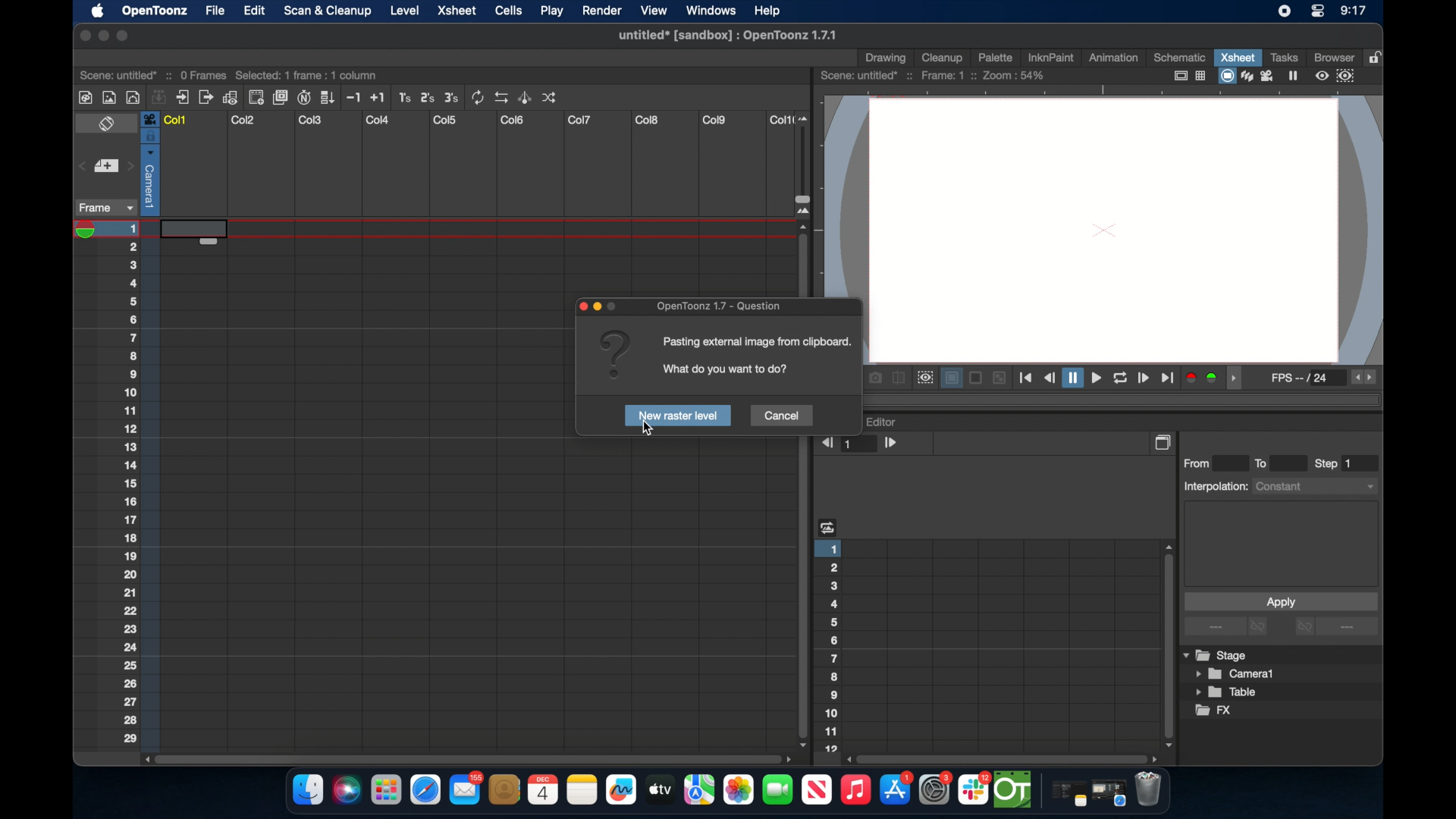 Image resolution: width=1456 pixels, height=819 pixels. What do you see at coordinates (319, 96) in the screenshot?
I see `more tools` at bounding box center [319, 96].